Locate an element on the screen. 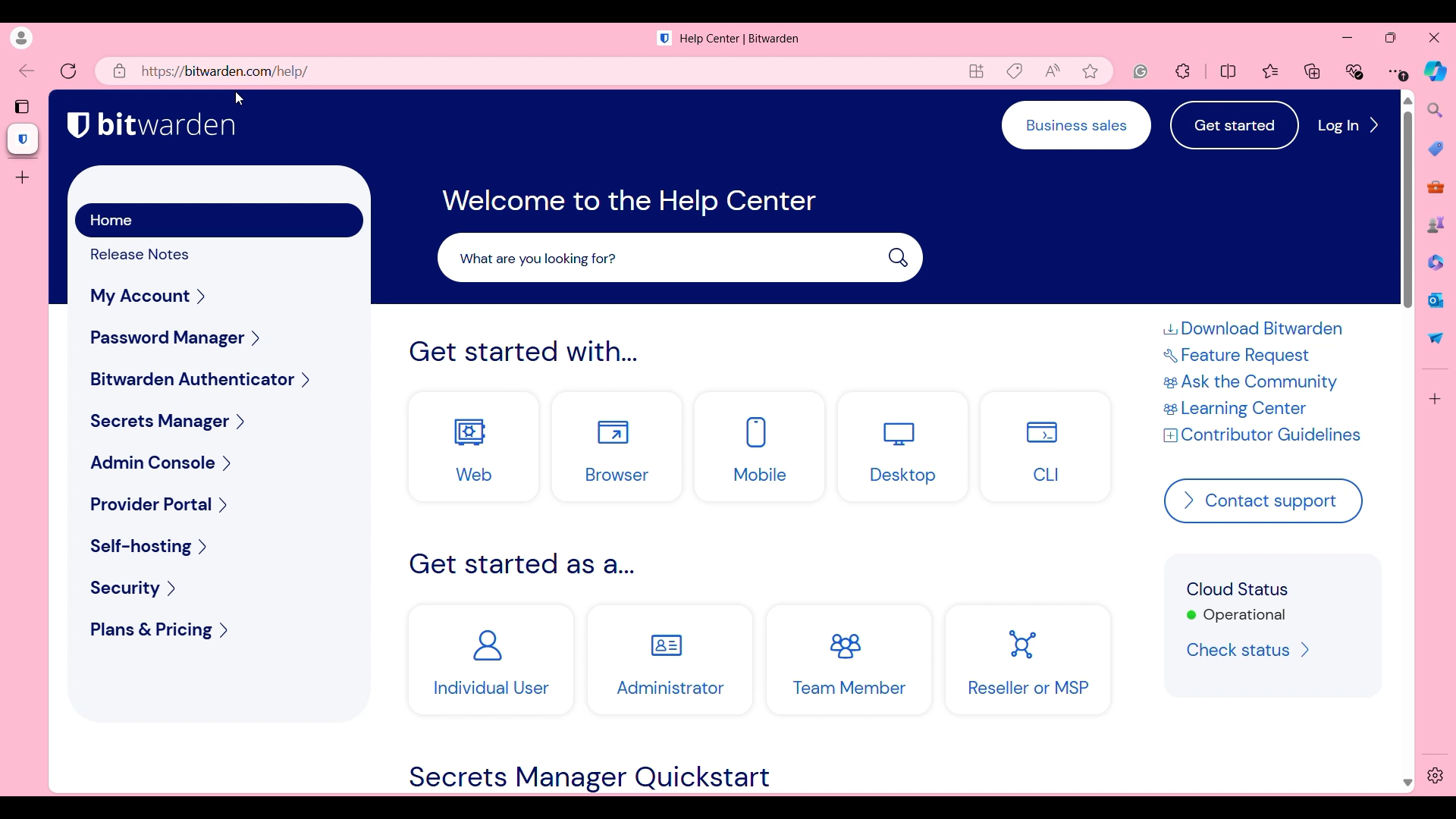 The width and height of the screenshot is (1456, 819). Self hosting is located at coordinates (217, 548).